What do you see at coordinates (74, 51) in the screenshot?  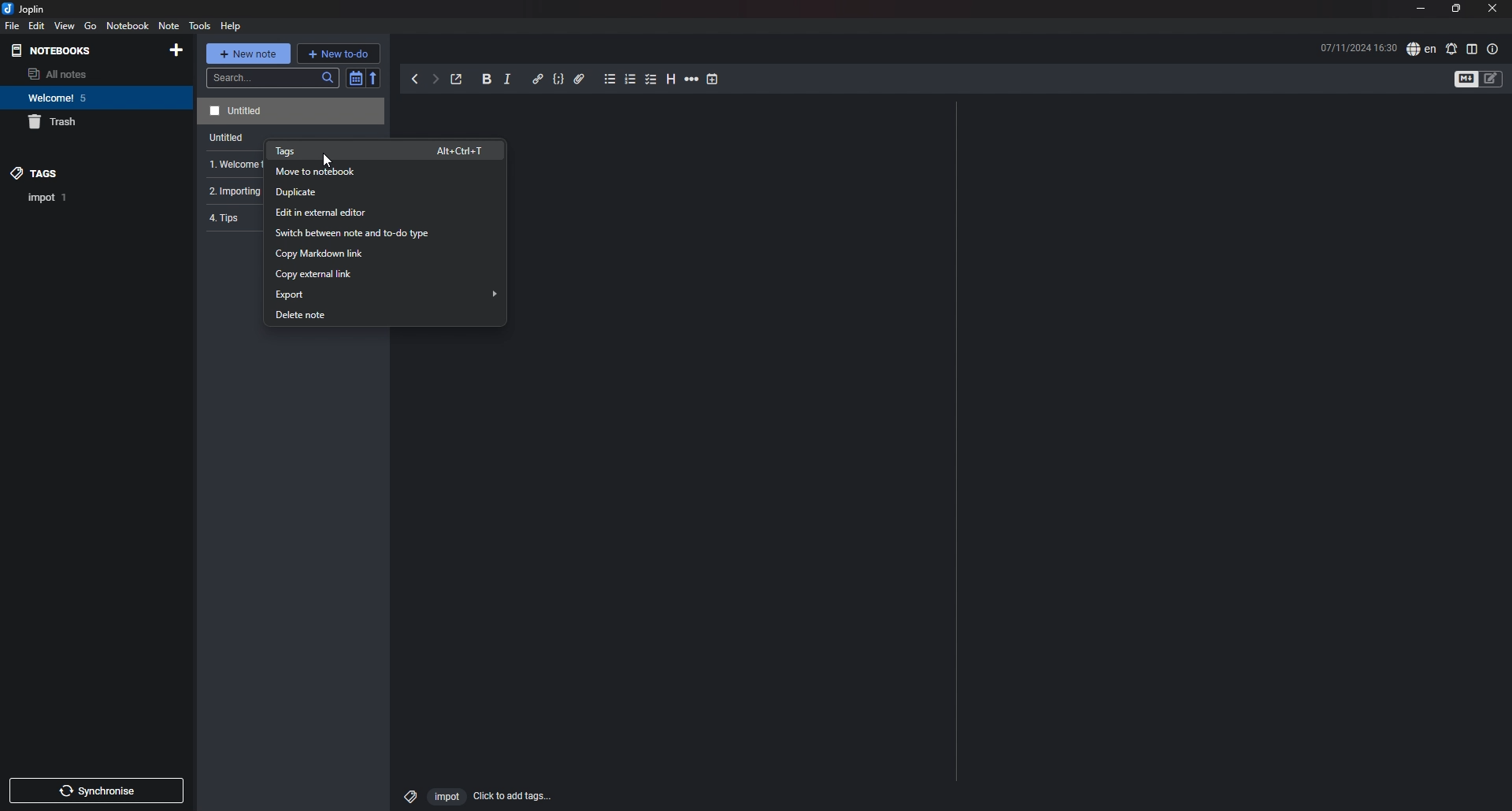 I see `notebooks` at bounding box center [74, 51].